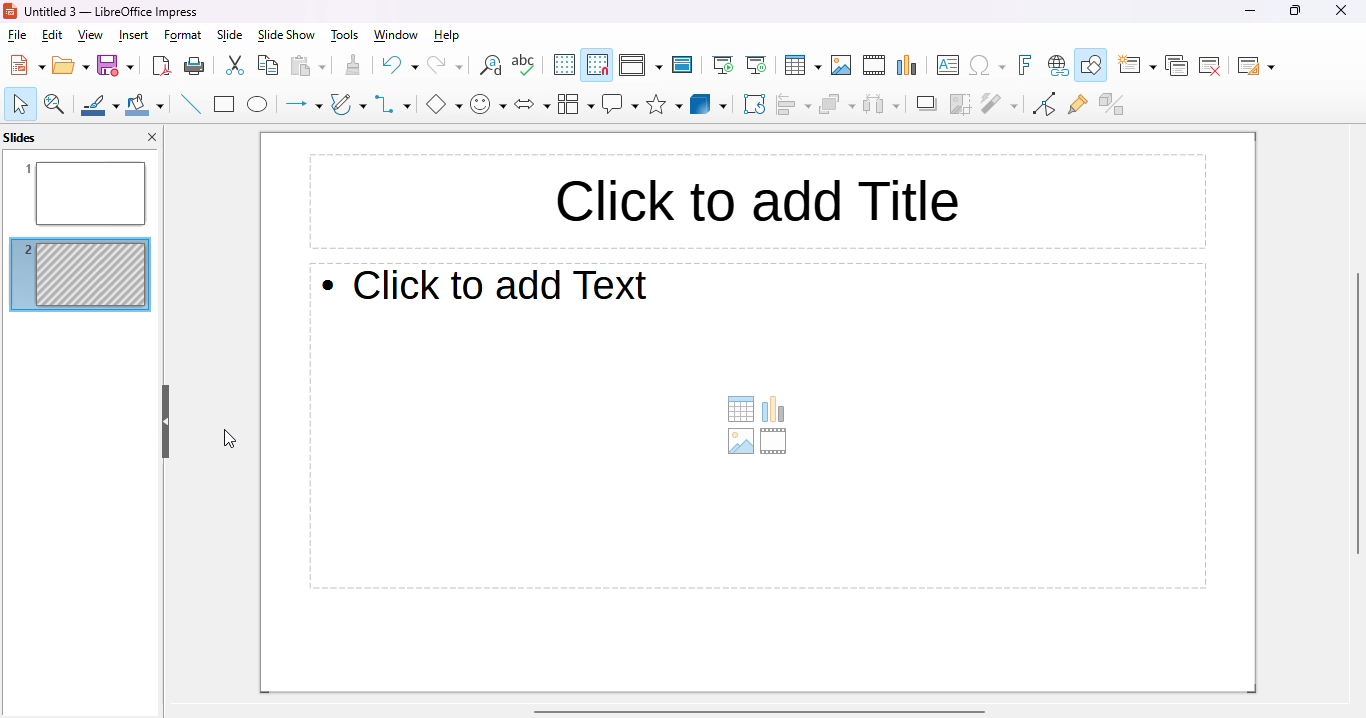 This screenshot has width=1366, height=718. Describe the element at coordinates (233, 440) in the screenshot. I see `cursor` at that location.